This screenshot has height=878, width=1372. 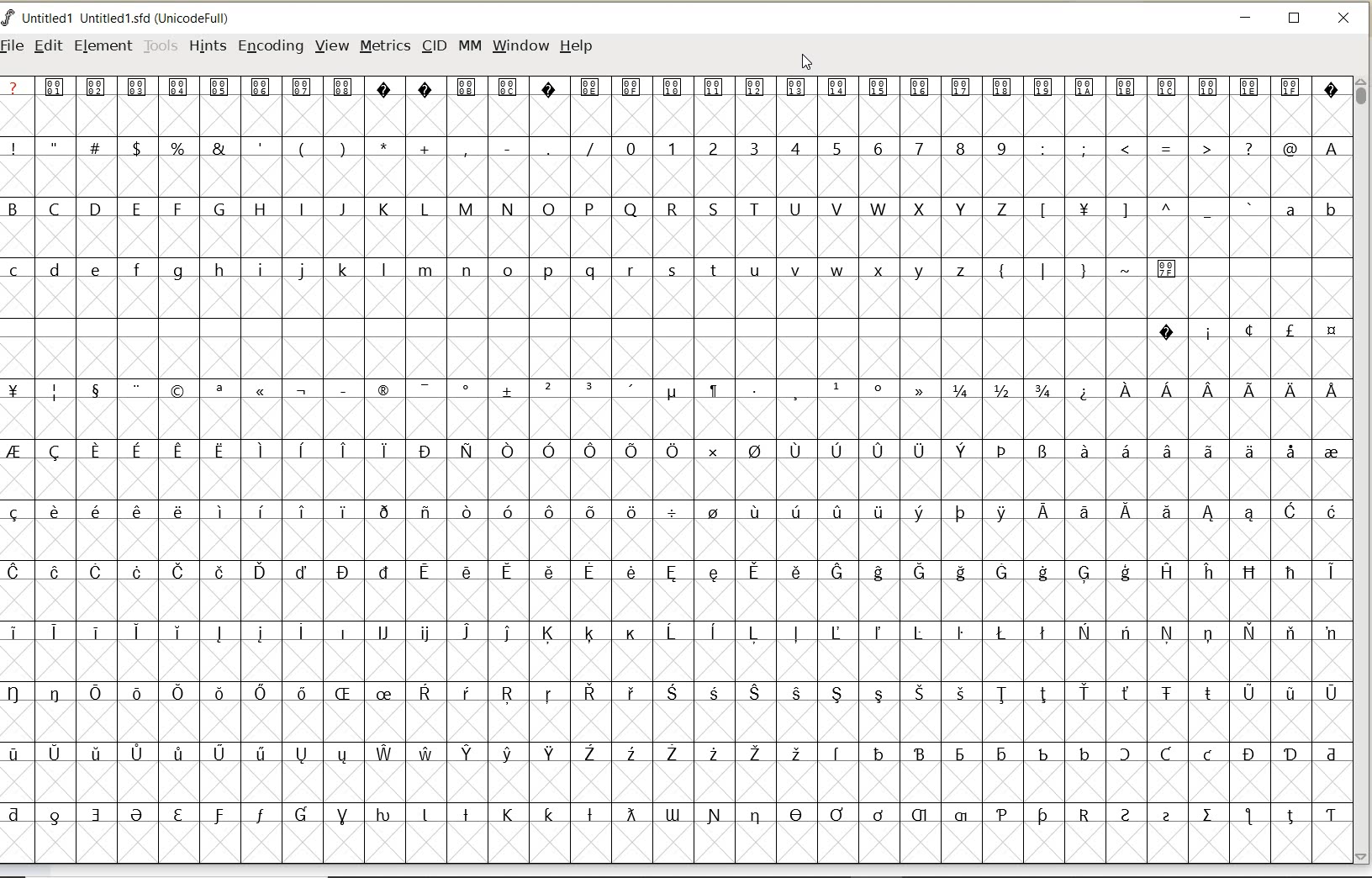 What do you see at coordinates (1108, 276) in the screenshot?
I see `special characters` at bounding box center [1108, 276].